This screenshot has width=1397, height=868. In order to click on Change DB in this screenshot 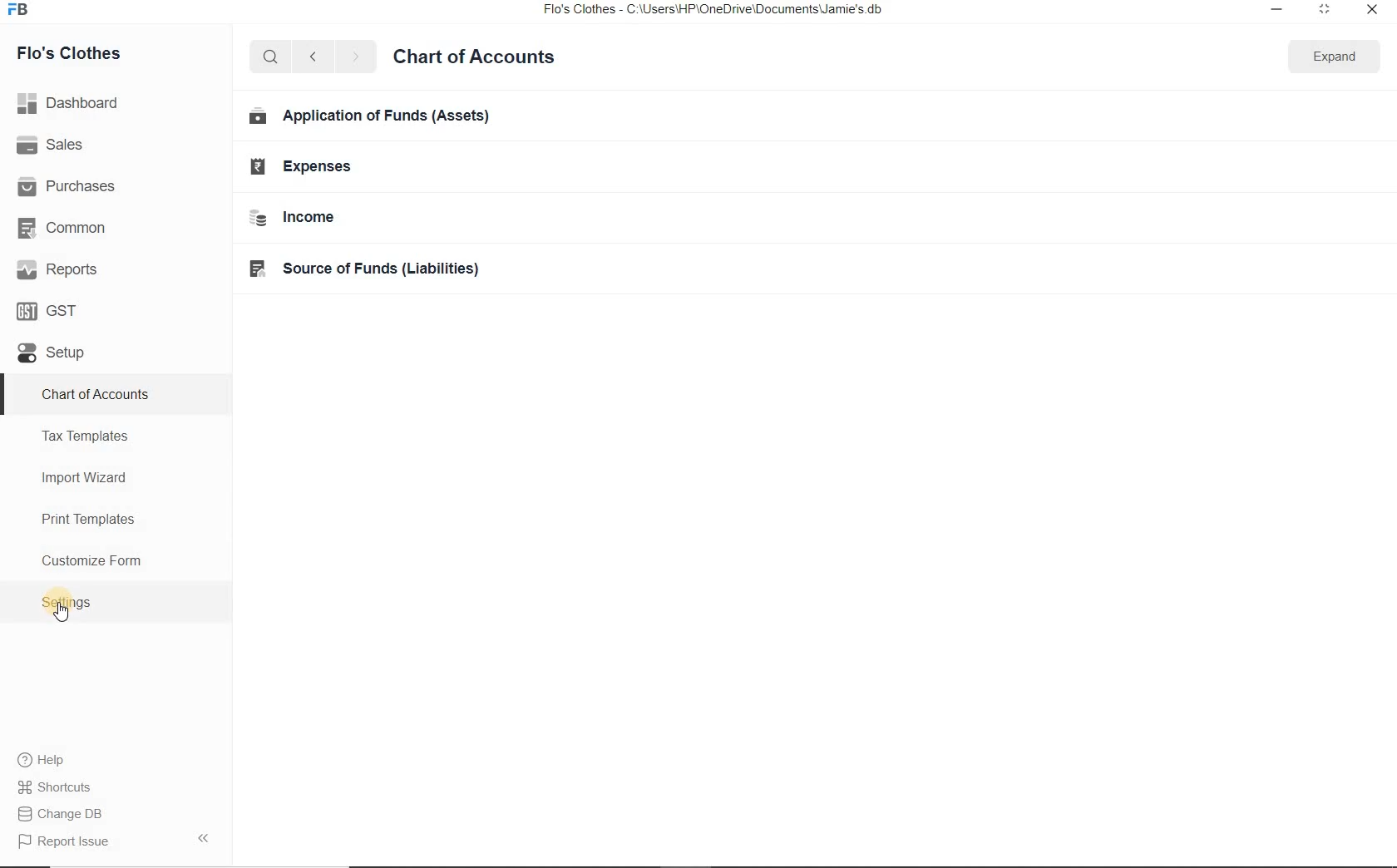, I will do `click(66, 787)`.